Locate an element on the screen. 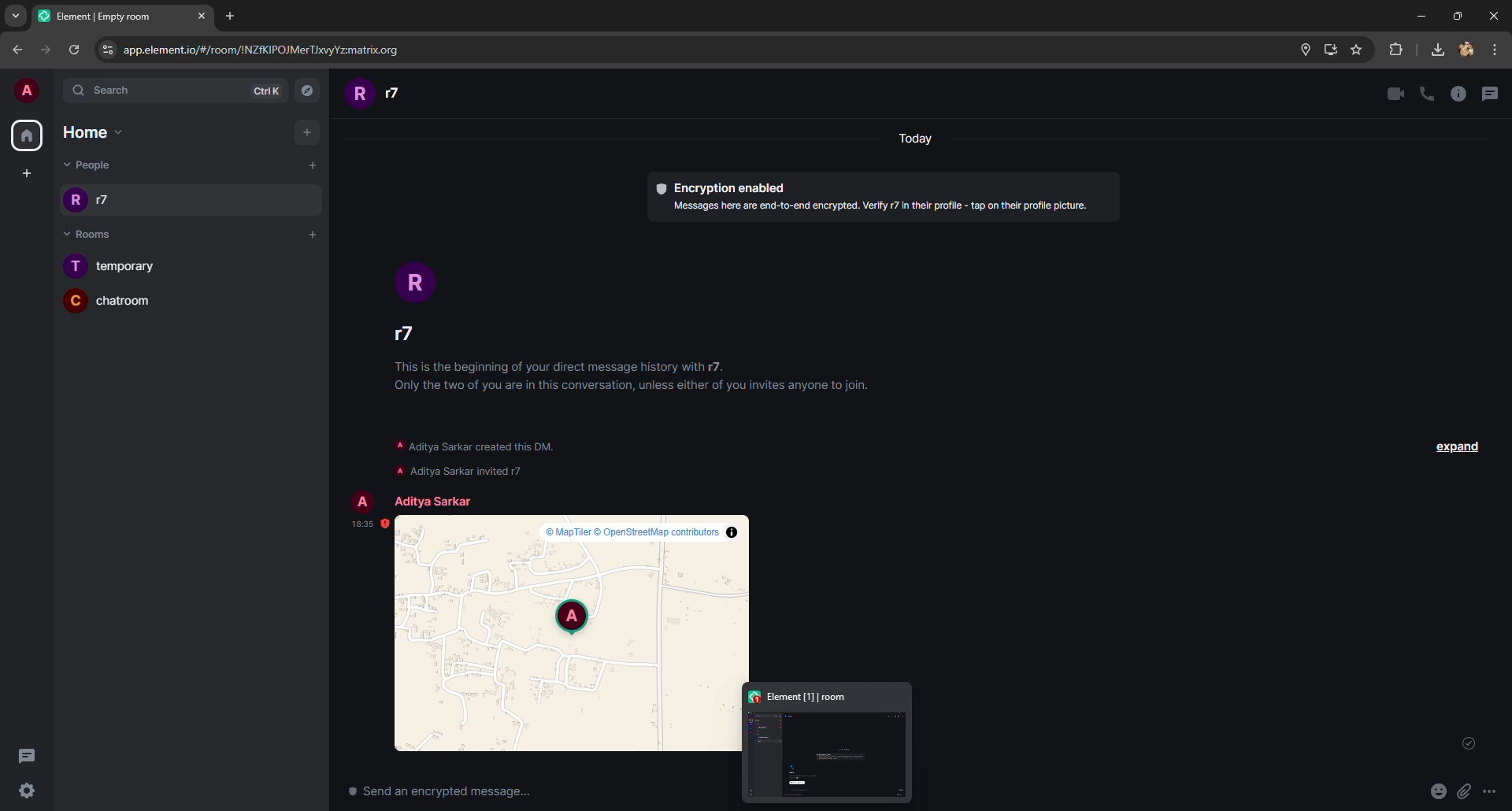  maximize is located at coordinates (1457, 14).